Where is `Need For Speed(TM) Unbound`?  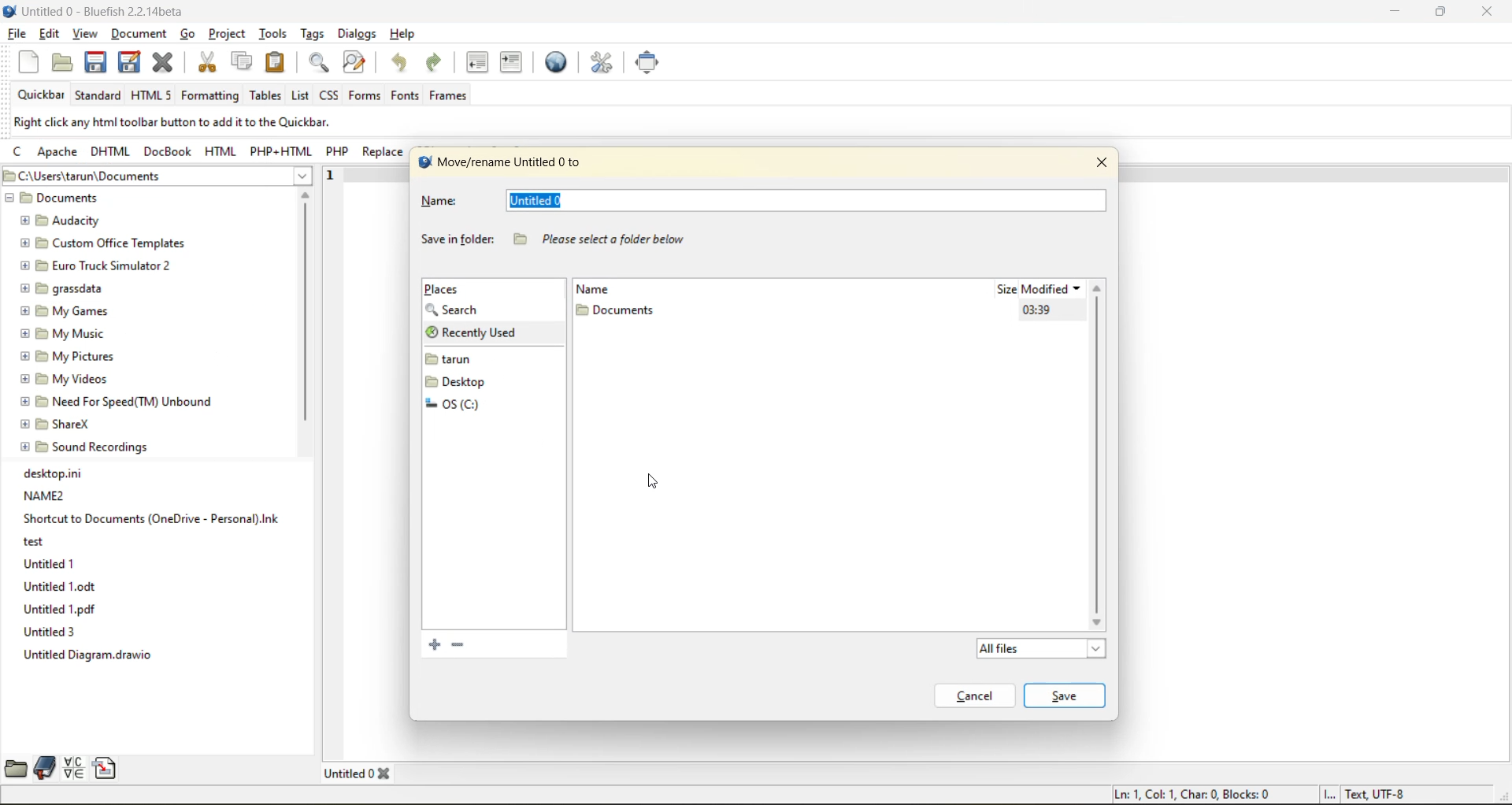 Need For Speed(TM) Unbound is located at coordinates (118, 402).